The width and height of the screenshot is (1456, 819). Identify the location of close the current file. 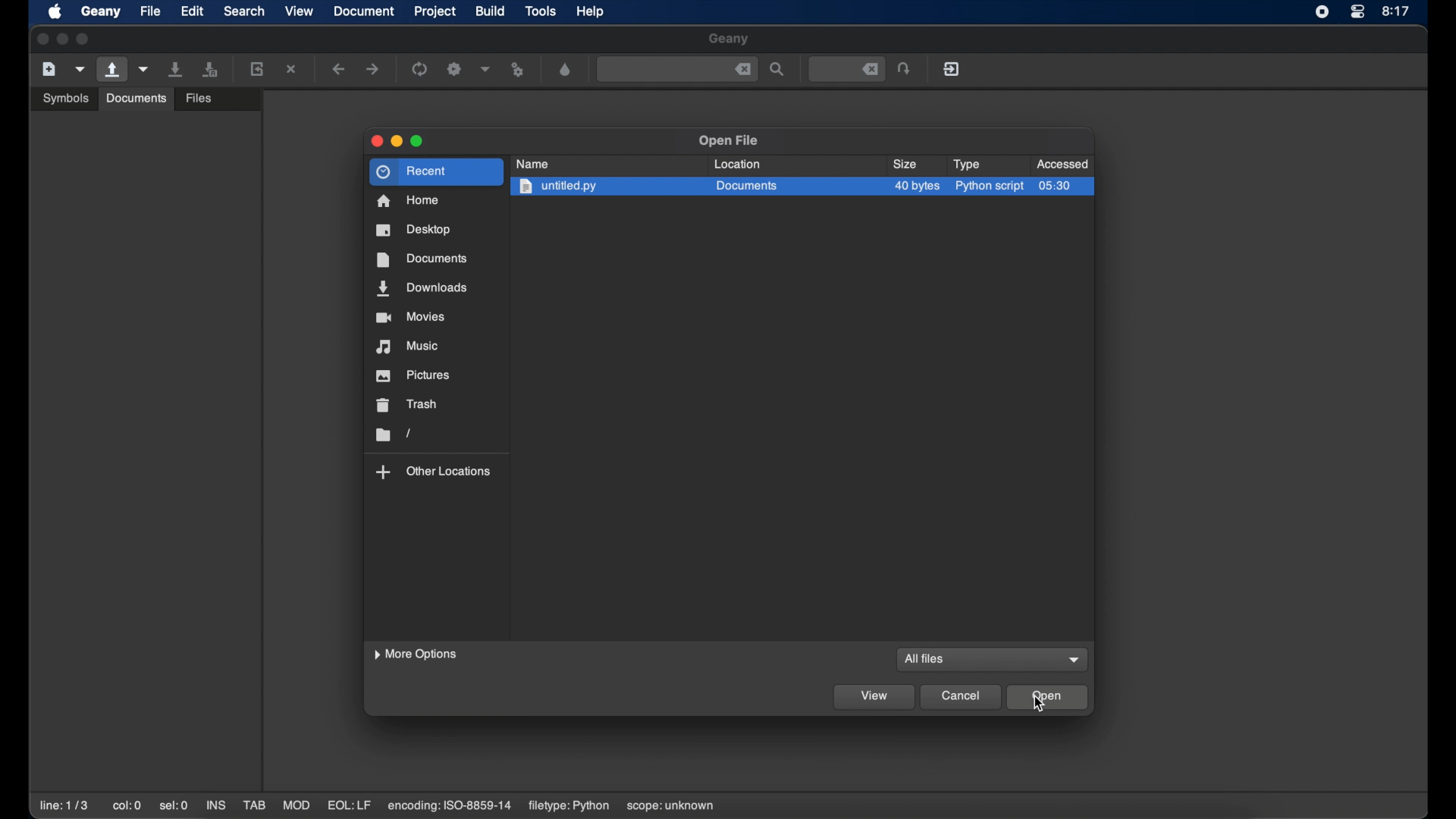
(291, 68).